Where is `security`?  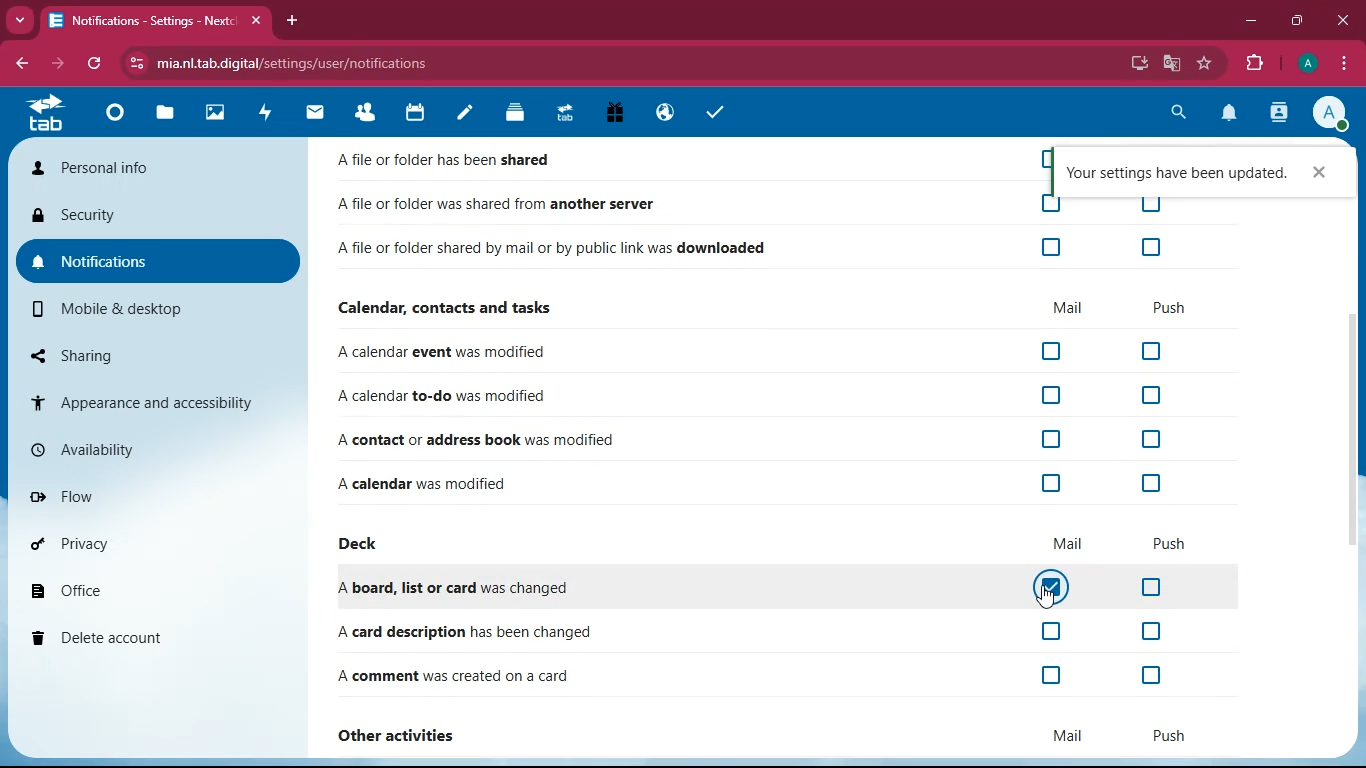
security is located at coordinates (155, 216).